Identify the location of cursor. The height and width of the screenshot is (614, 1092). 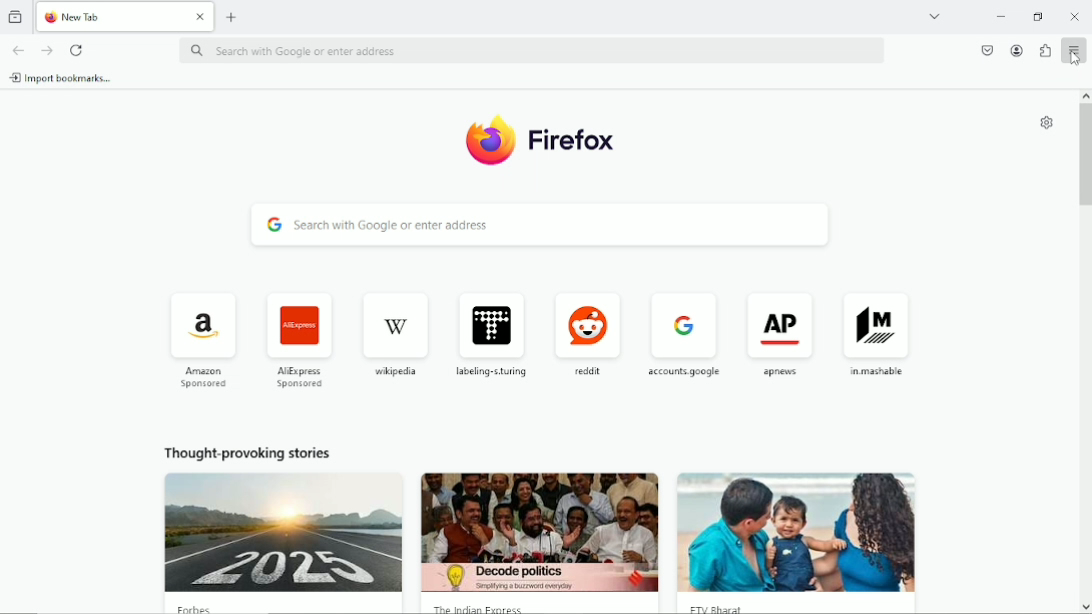
(1075, 57).